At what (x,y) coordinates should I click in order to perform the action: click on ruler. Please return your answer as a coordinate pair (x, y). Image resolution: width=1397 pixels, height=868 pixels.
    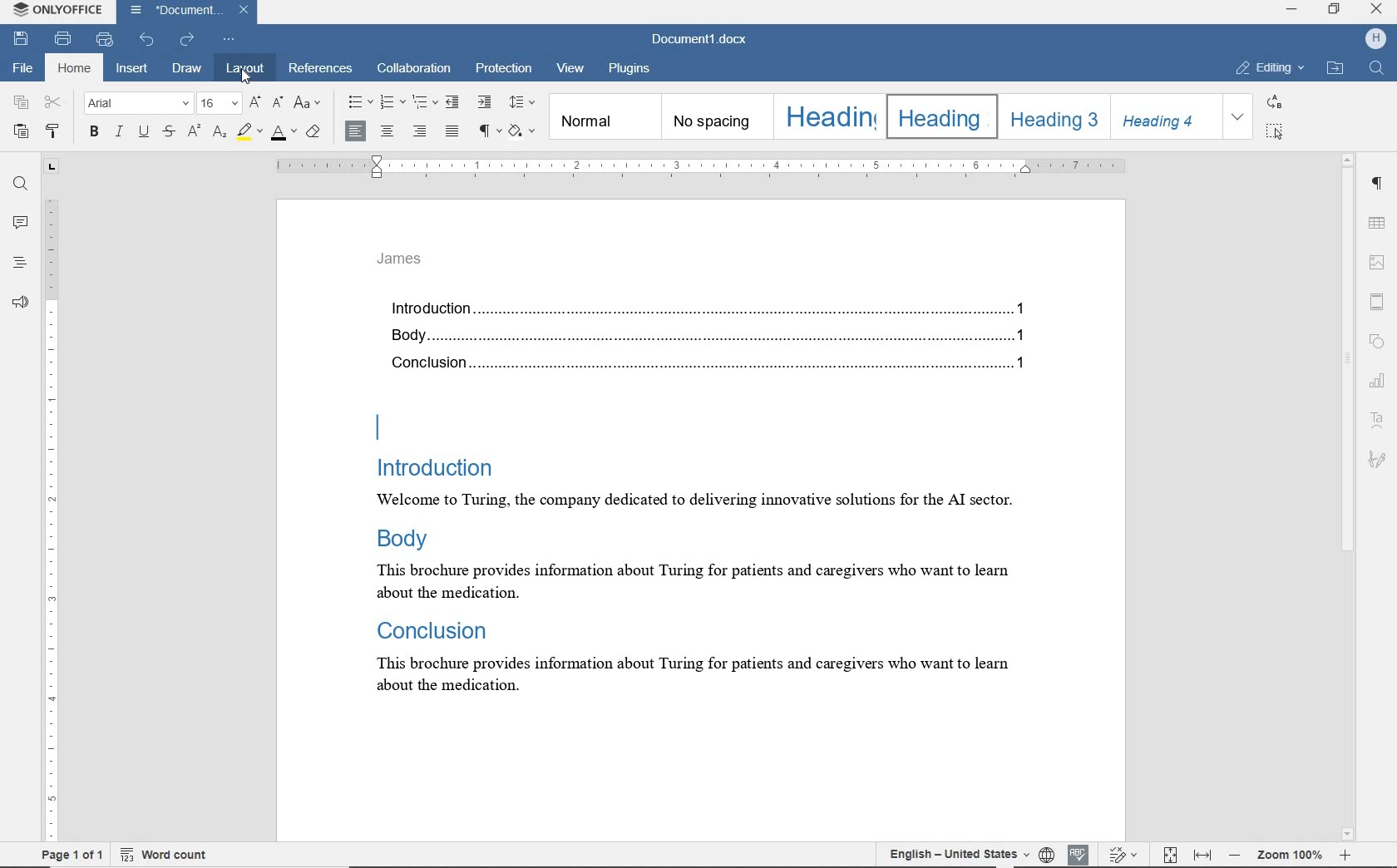
    Looking at the image, I should click on (704, 166).